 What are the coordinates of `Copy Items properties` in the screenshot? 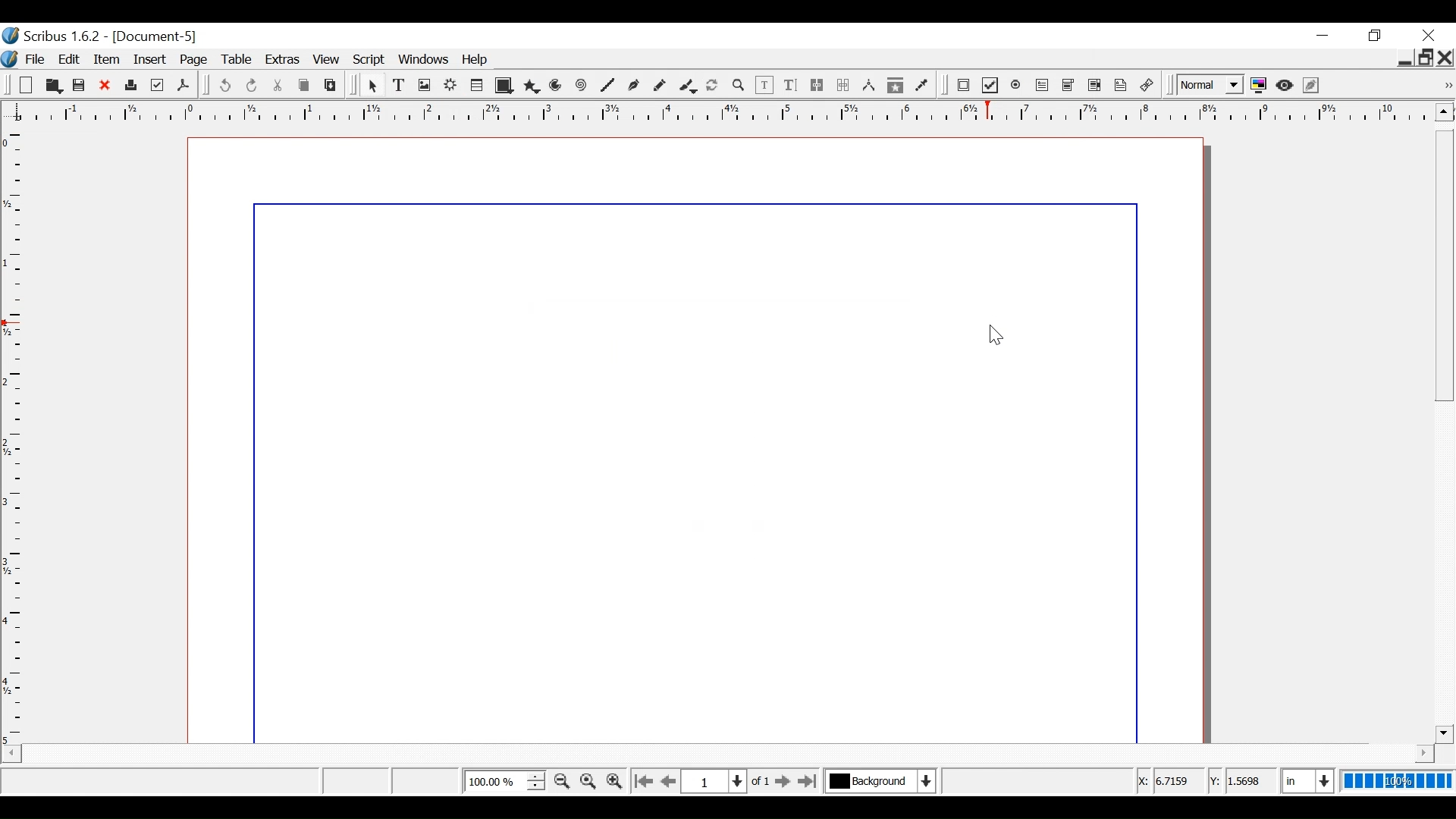 It's located at (895, 86).